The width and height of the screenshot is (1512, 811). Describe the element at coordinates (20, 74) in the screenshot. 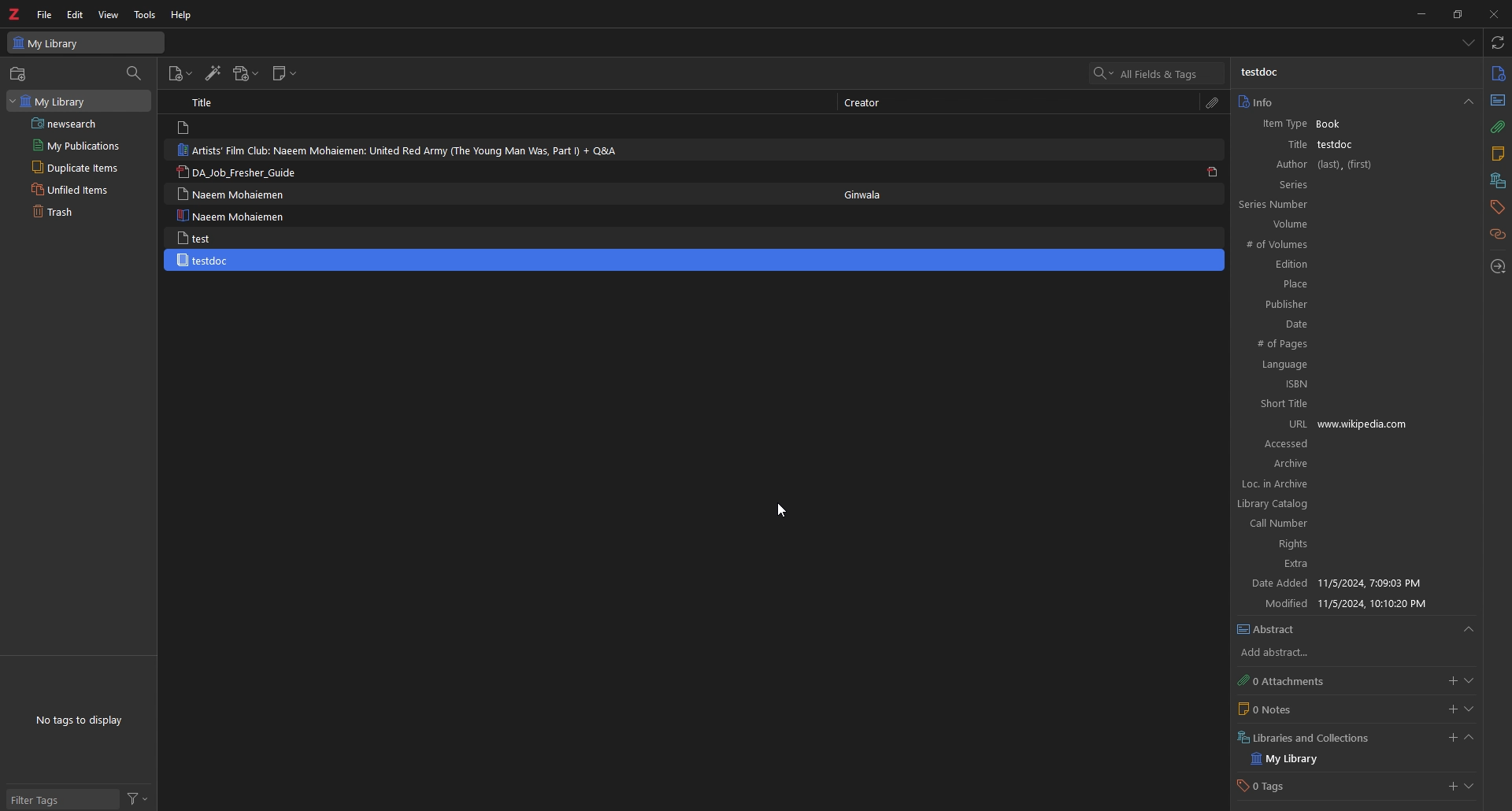

I see `new collection` at that location.